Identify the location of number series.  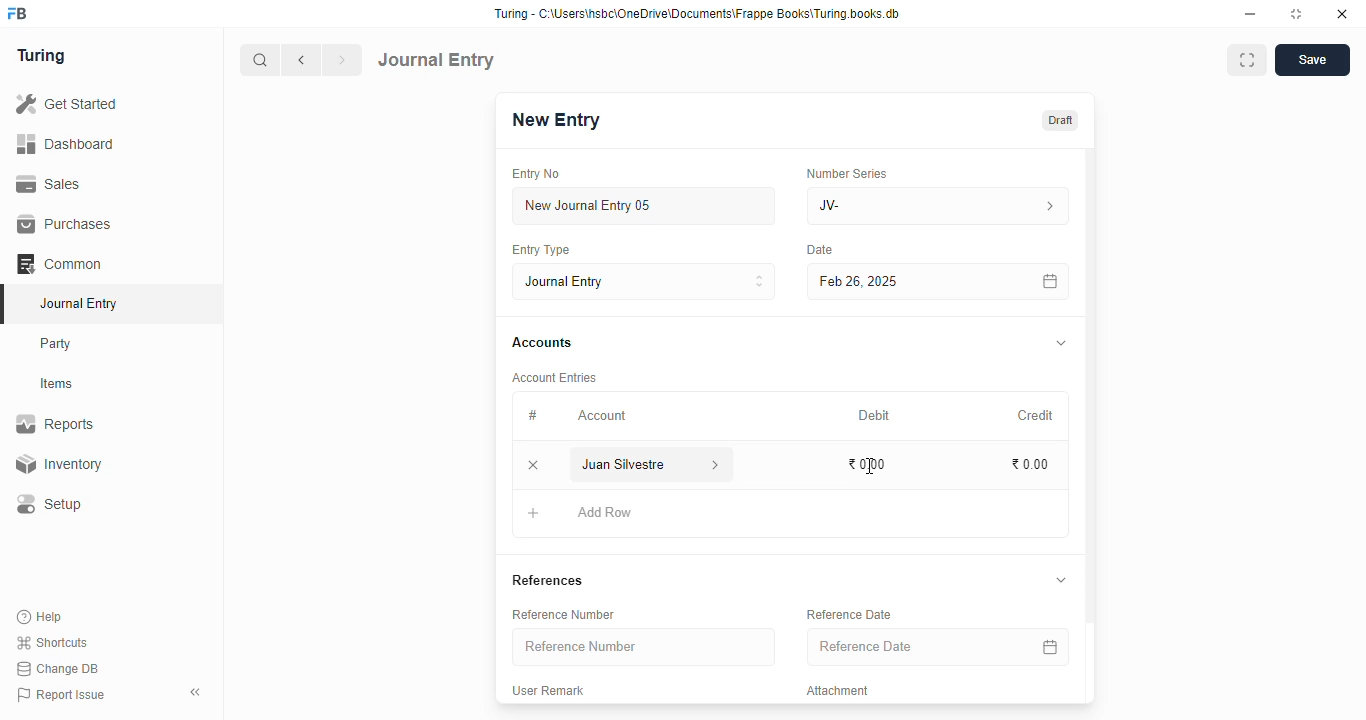
(846, 173).